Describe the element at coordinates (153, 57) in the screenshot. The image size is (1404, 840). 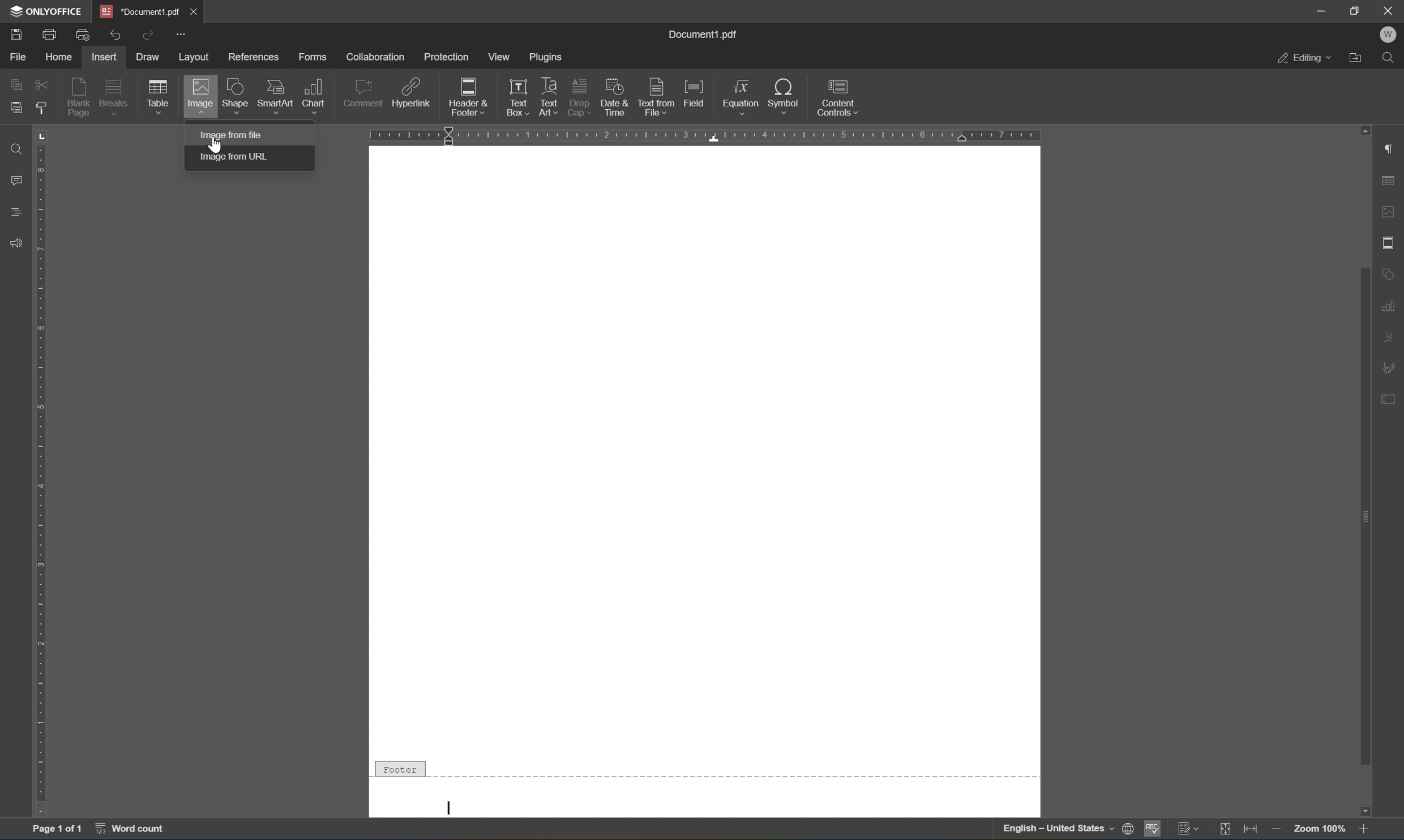
I see `draw` at that location.